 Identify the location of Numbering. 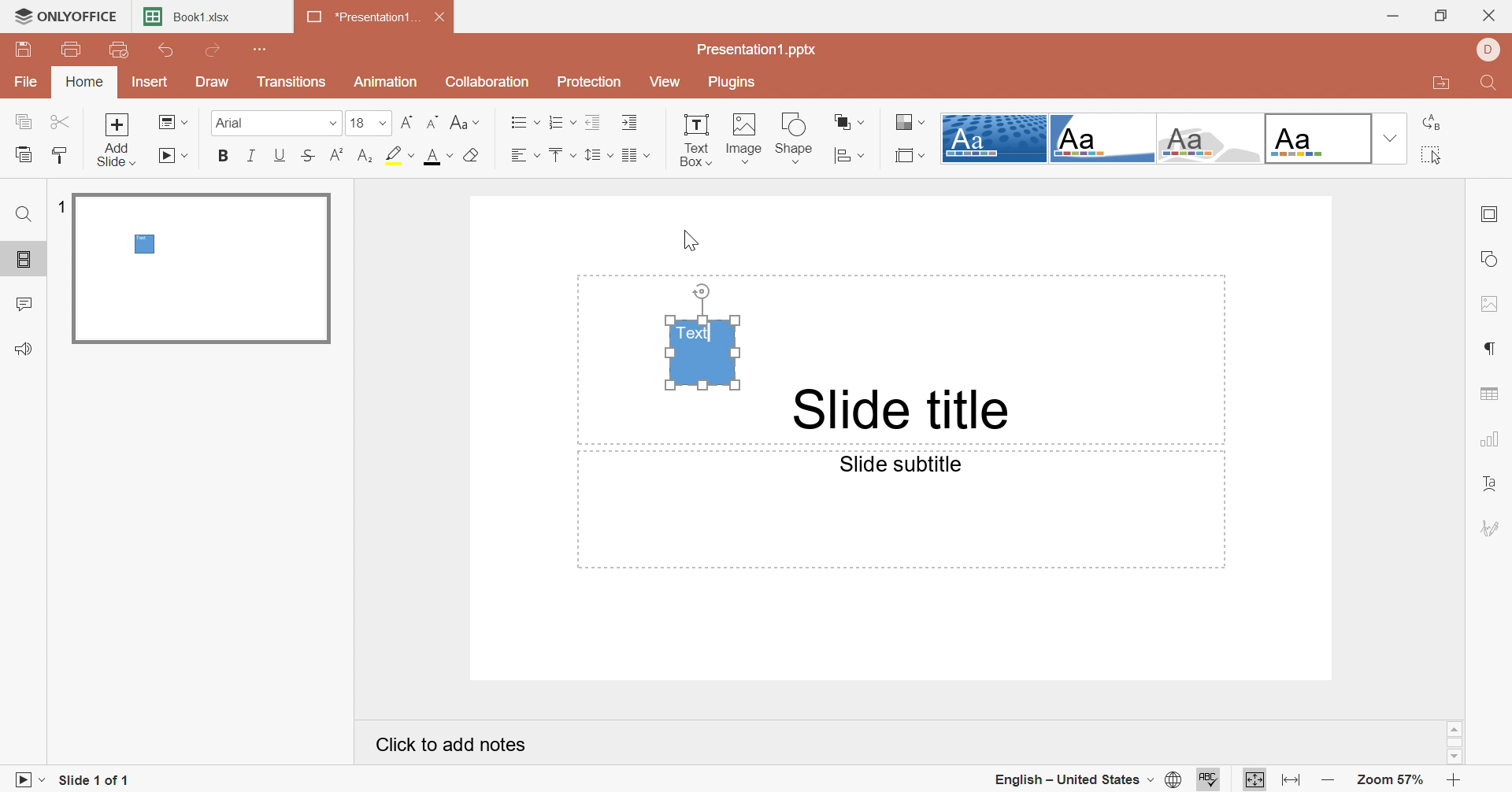
(564, 121).